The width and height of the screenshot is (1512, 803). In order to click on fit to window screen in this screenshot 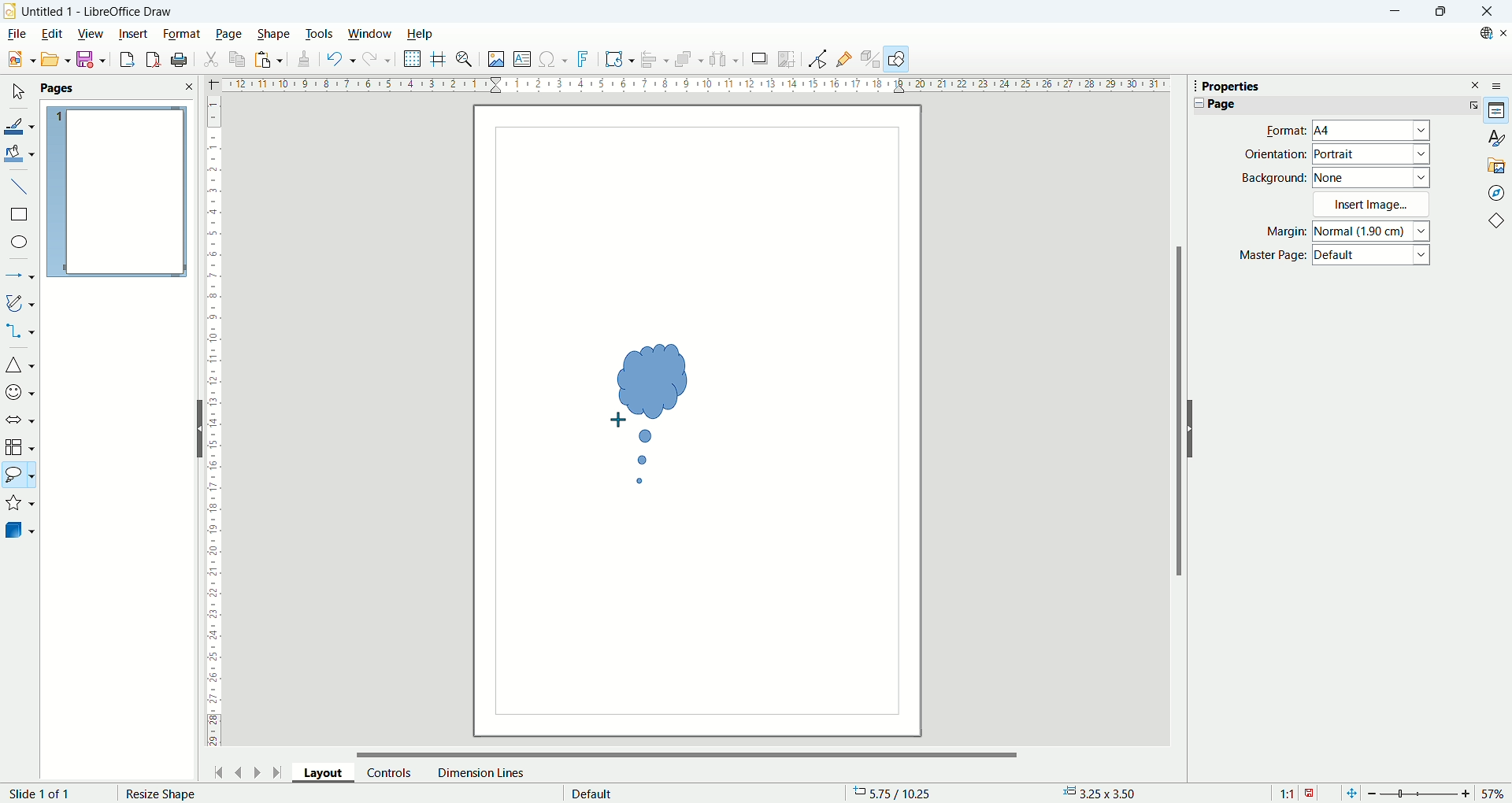, I will do `click(1350, 792)`.